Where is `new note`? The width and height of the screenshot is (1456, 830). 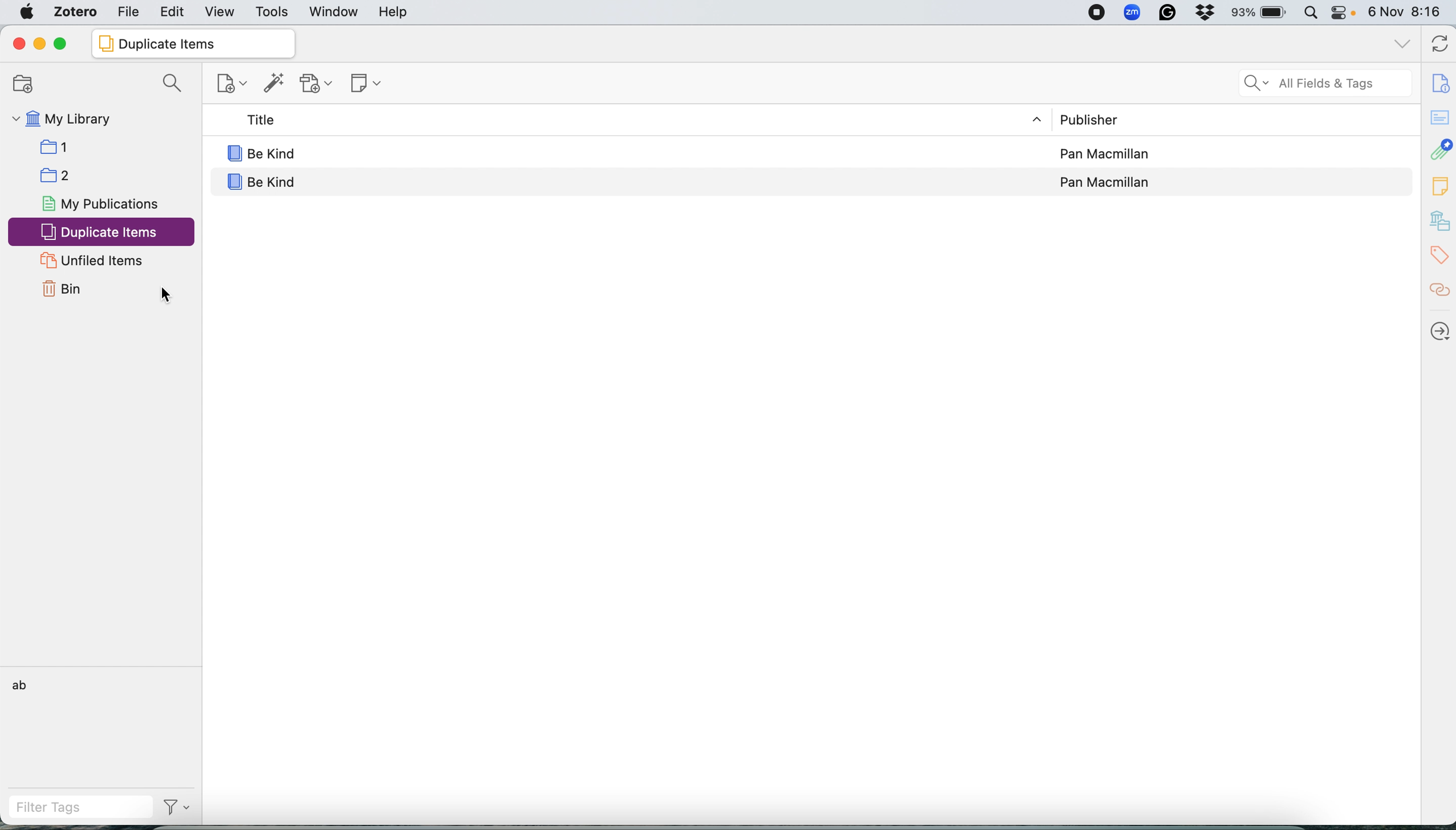 new note is located at coordinates (369, 83).